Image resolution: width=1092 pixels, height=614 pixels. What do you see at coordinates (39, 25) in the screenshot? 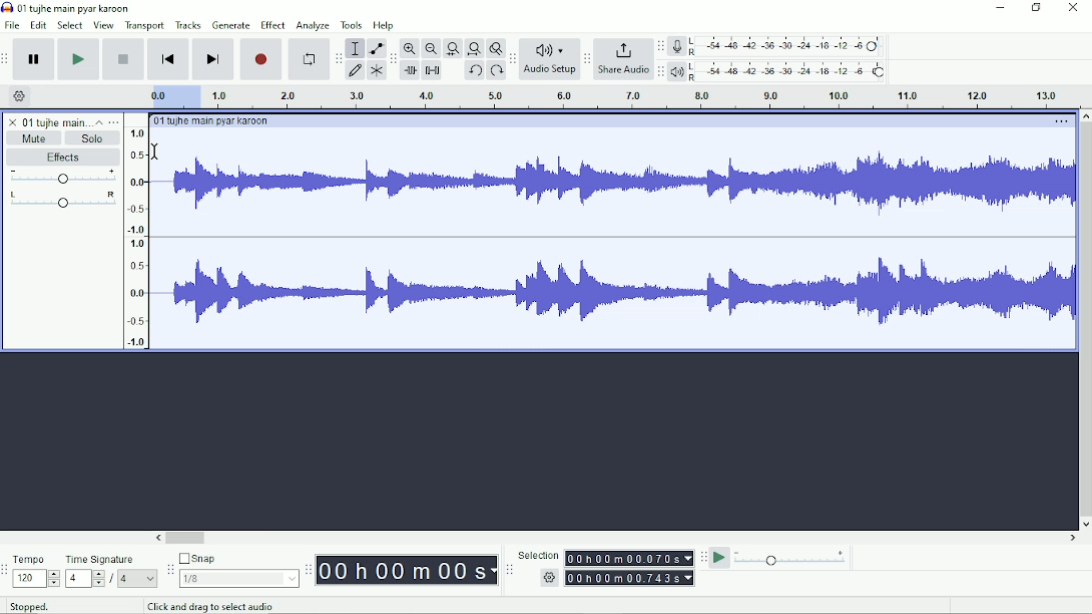
I see `Edit` at bounding box center [39, 25].